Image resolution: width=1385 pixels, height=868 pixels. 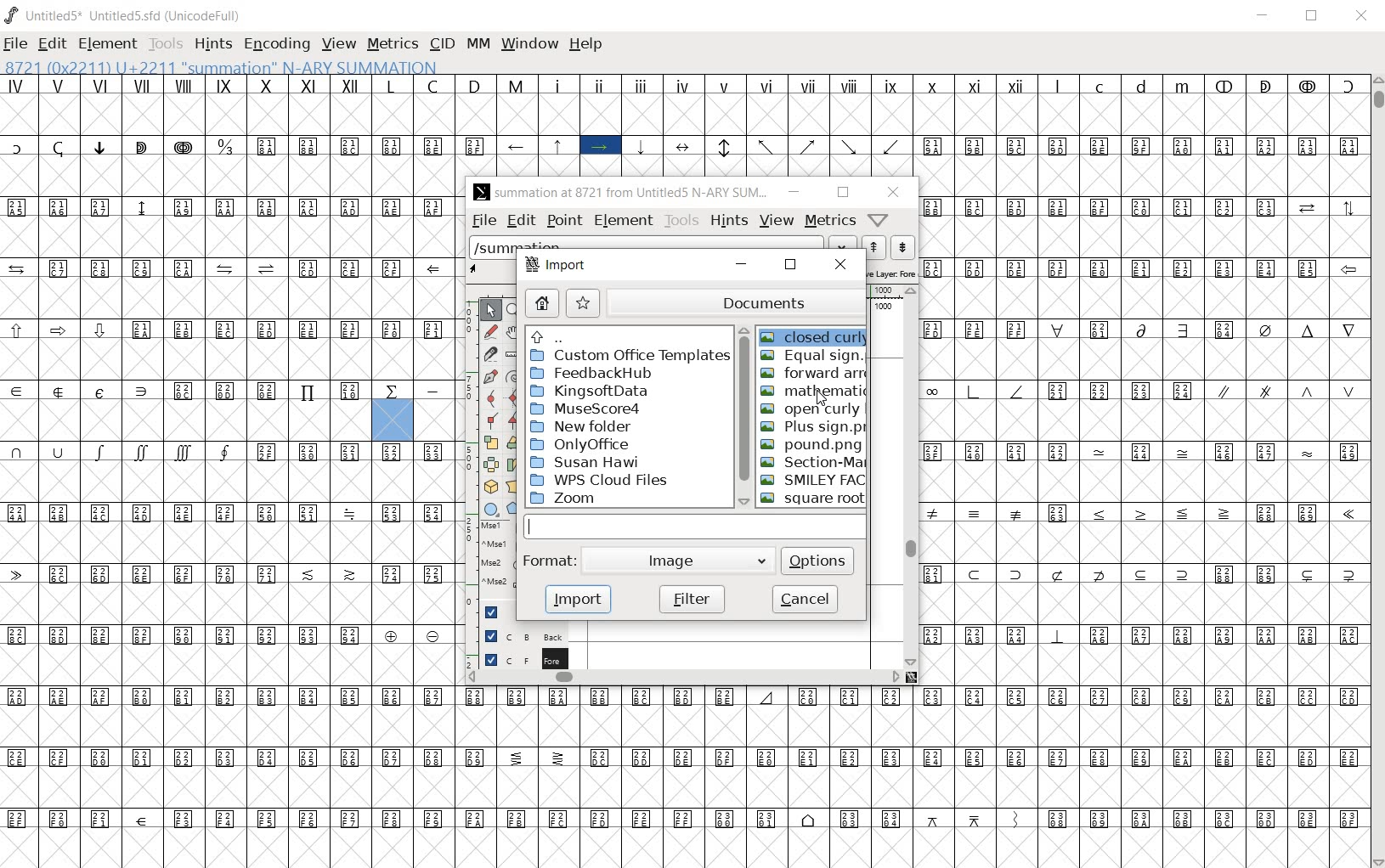 I want to click on New Folder, so click(x=583, y=426).